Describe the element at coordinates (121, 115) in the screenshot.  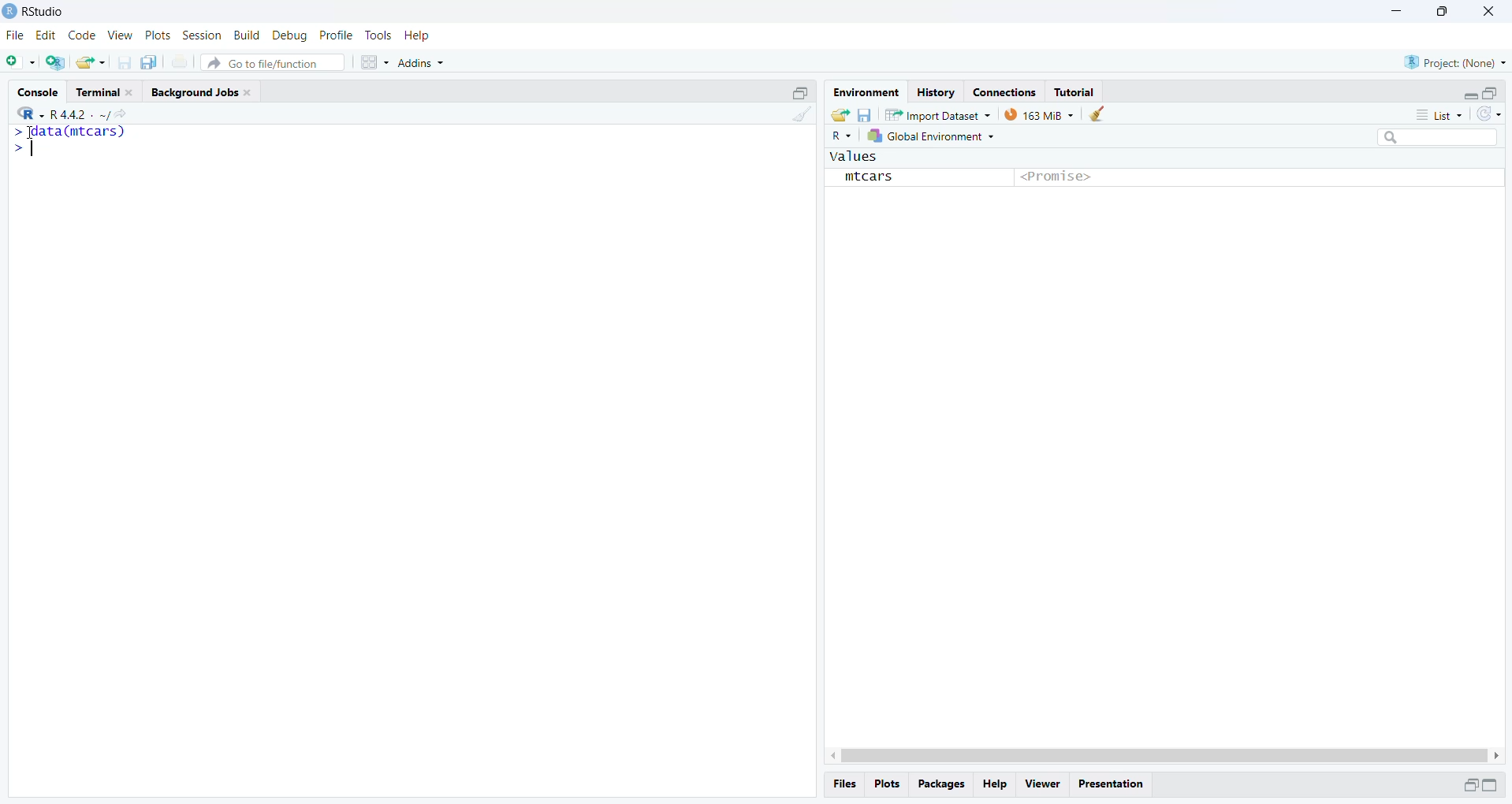
I see `share icon` at that location.